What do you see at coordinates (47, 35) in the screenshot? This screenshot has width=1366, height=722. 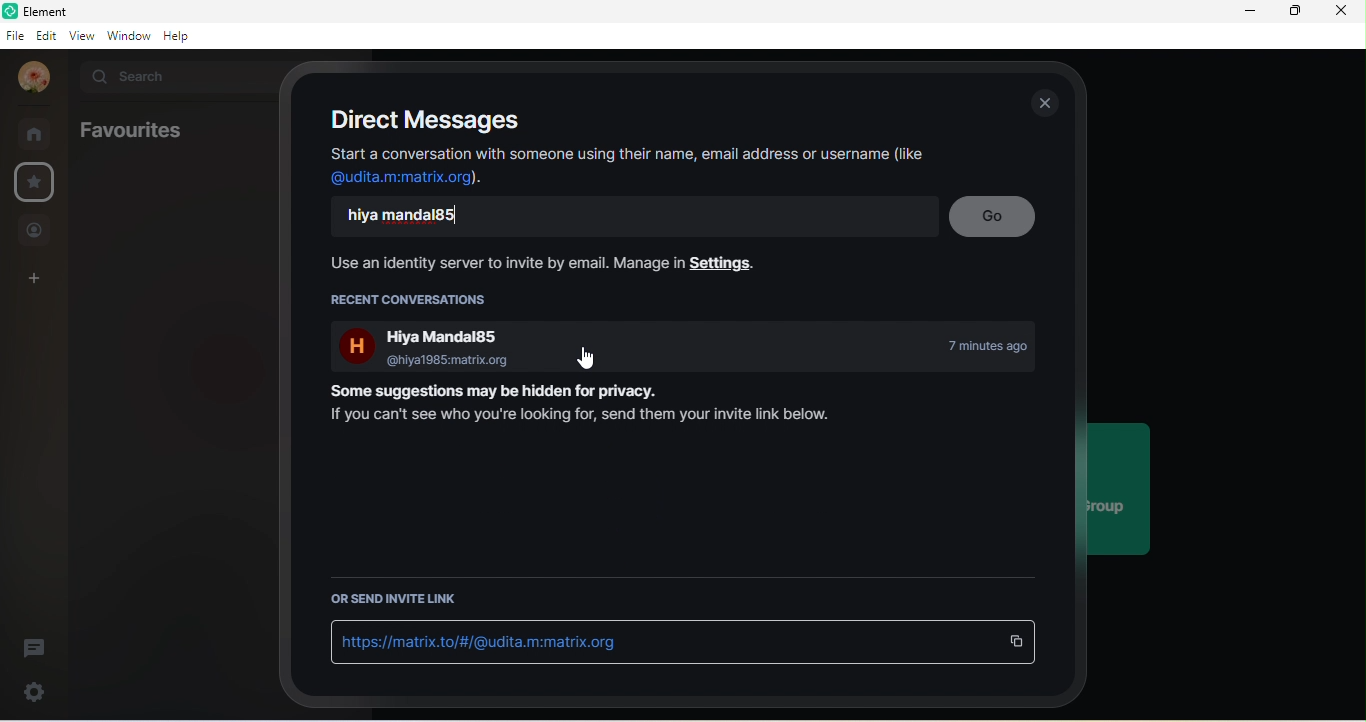 I see `edit` at bounding box center [47, 35].